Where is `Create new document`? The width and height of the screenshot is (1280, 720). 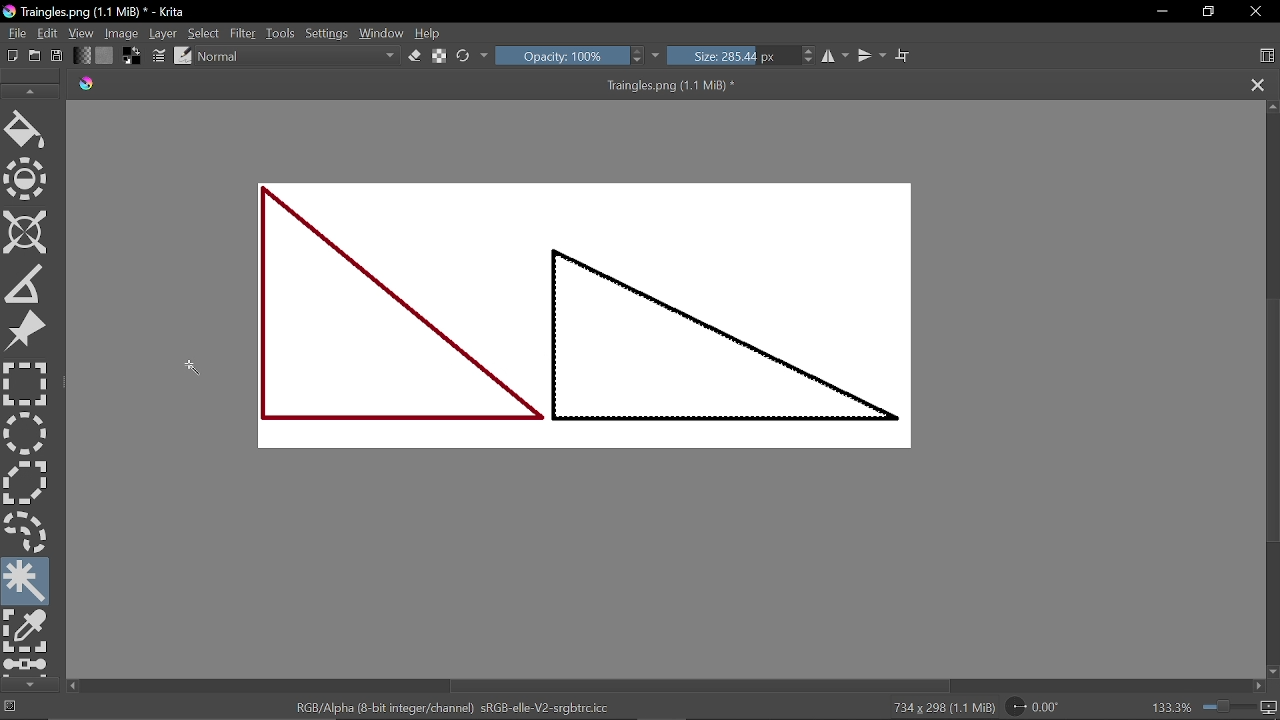
Create new document is located at coordinates (13, 56).